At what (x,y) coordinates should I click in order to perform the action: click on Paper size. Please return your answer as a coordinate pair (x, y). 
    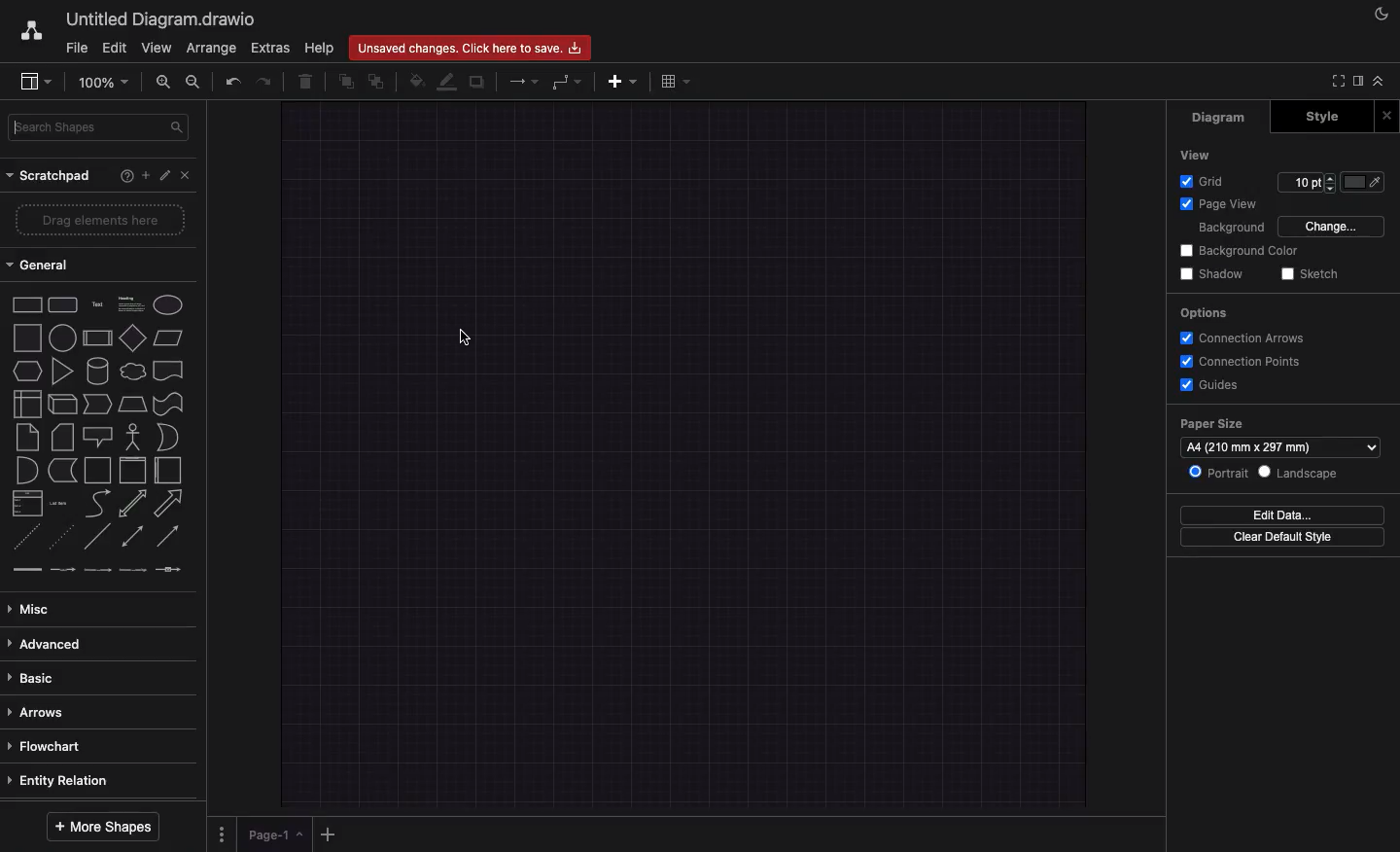
    Looking at the image, I should click on (1280, 436).